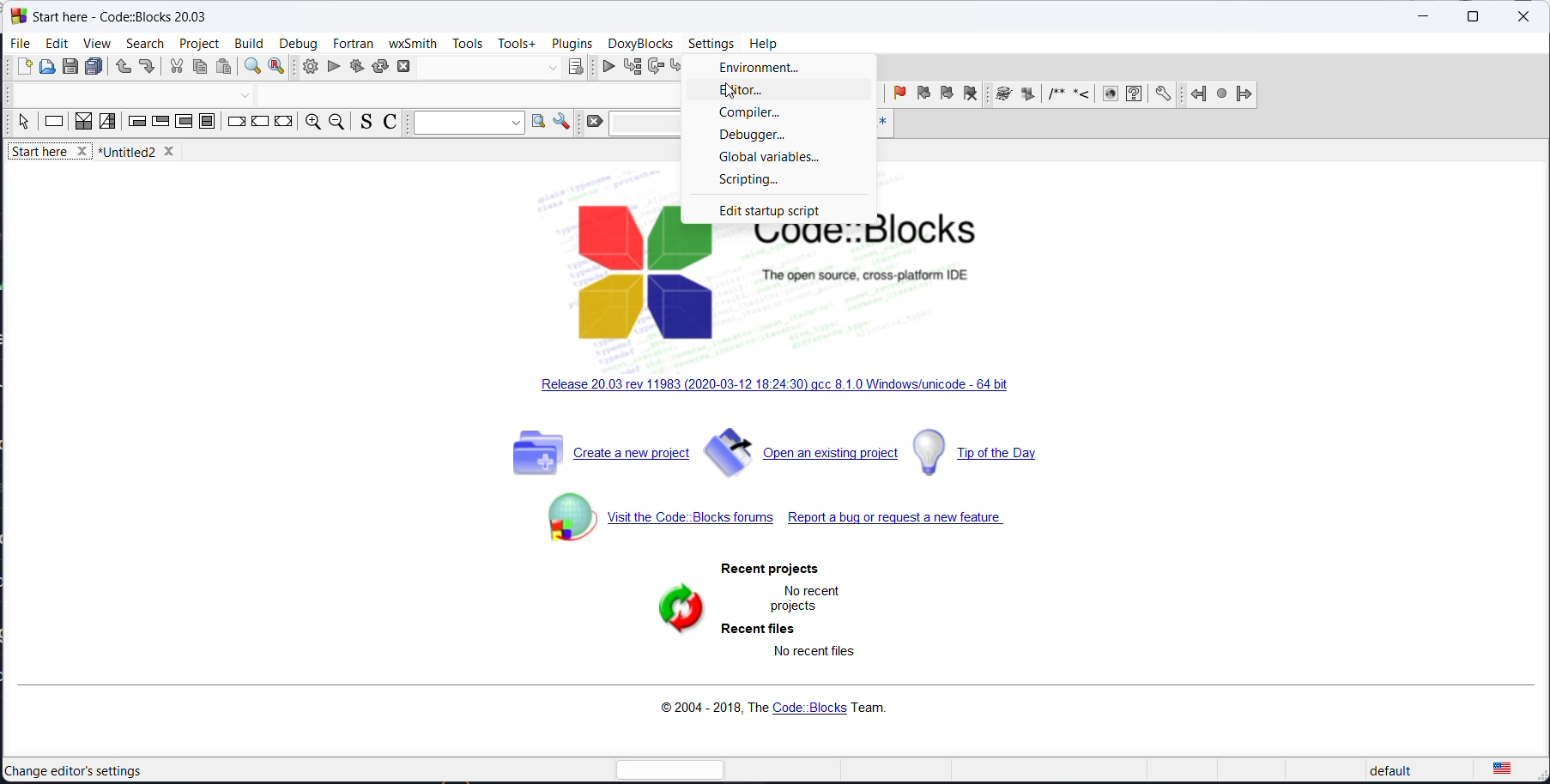 This screenshot has width=1550, height=784. What do you see at coordinates (336, 124) in the screenshot?
I see `zoom out` at bounding box center [336, 124].